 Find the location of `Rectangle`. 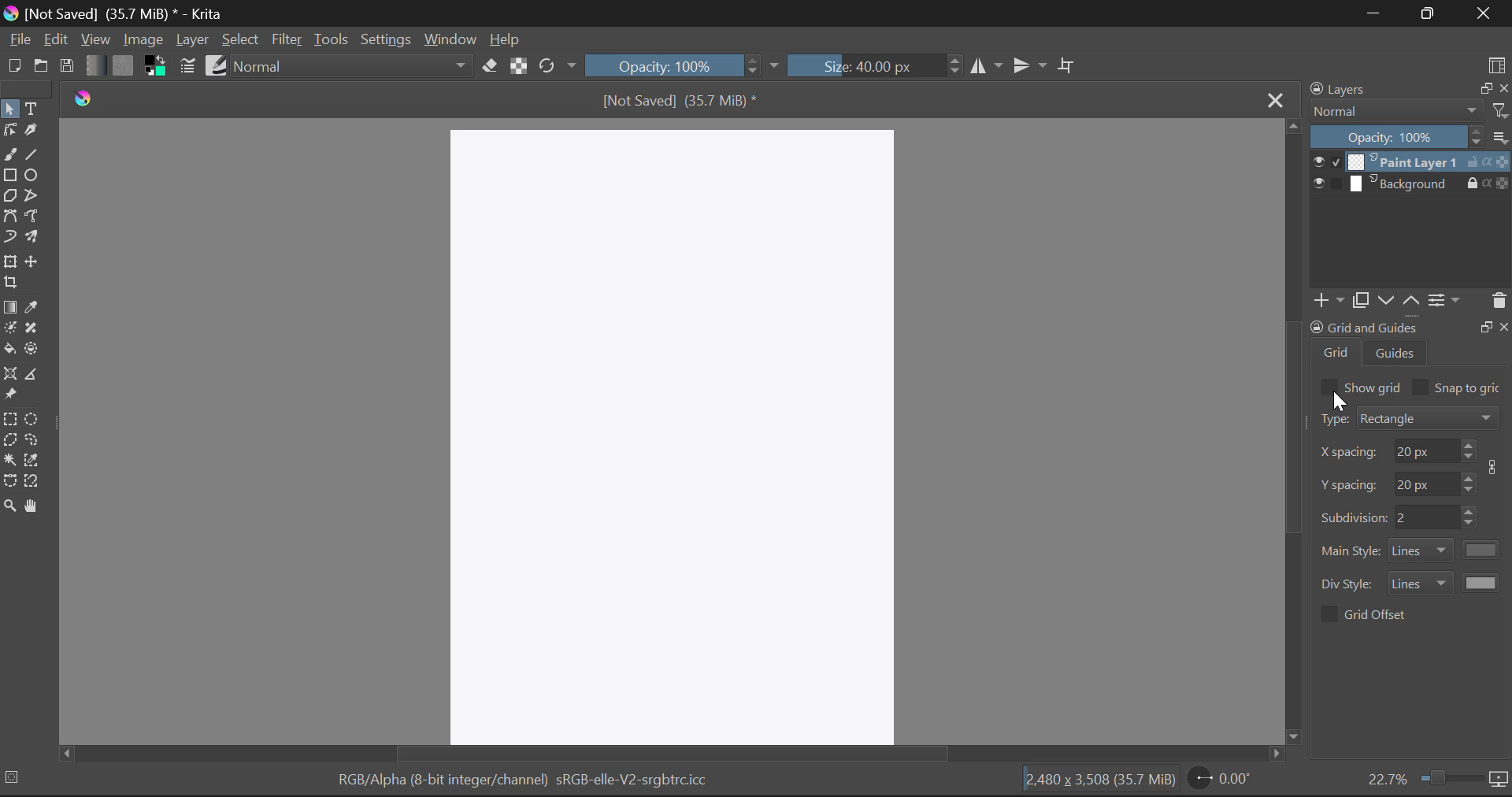

Rectangle is located at coordinates (10, 176).